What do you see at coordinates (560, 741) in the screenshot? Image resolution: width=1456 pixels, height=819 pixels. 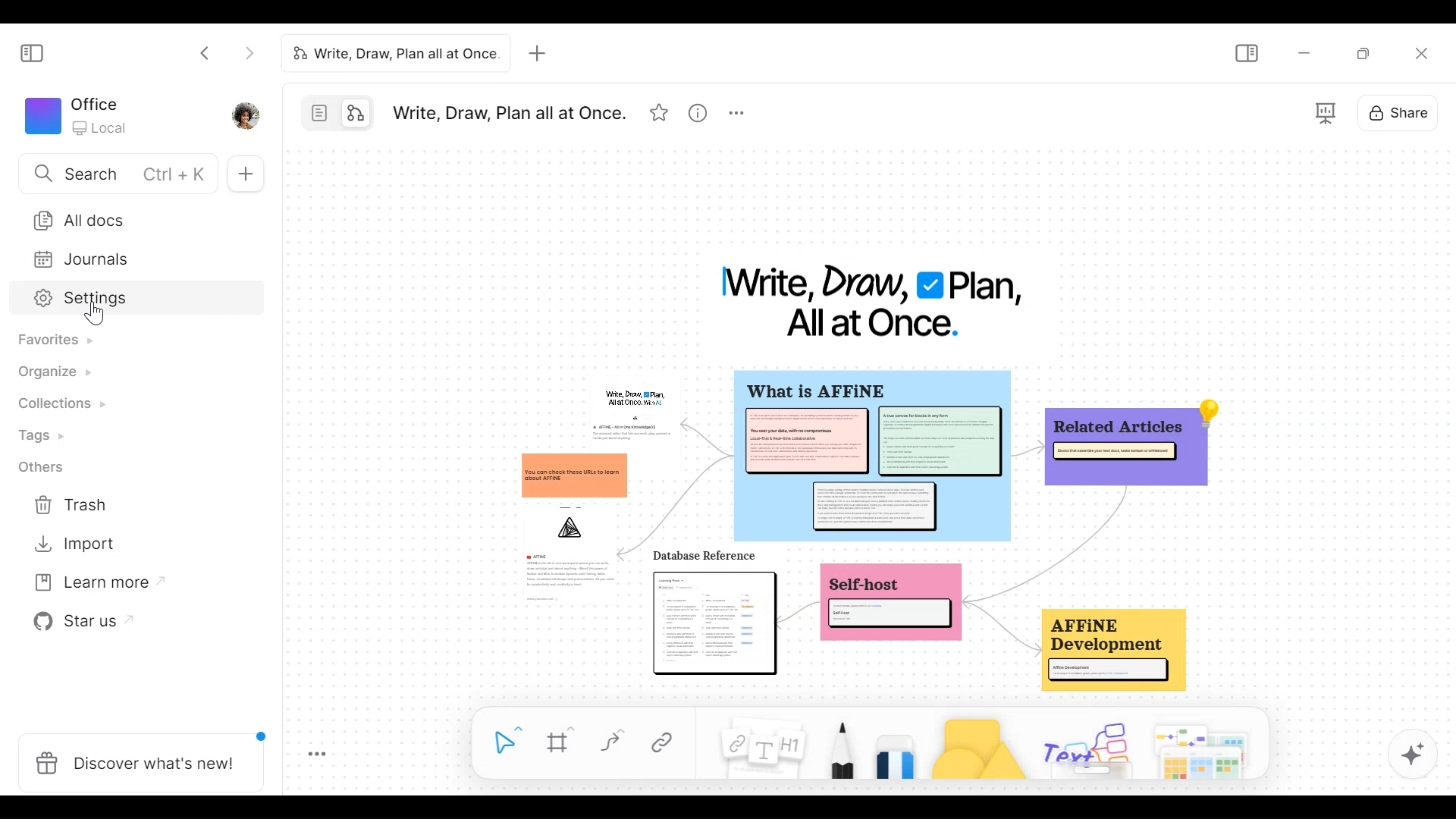 I see `Frame` at bounding box center [560, 741].